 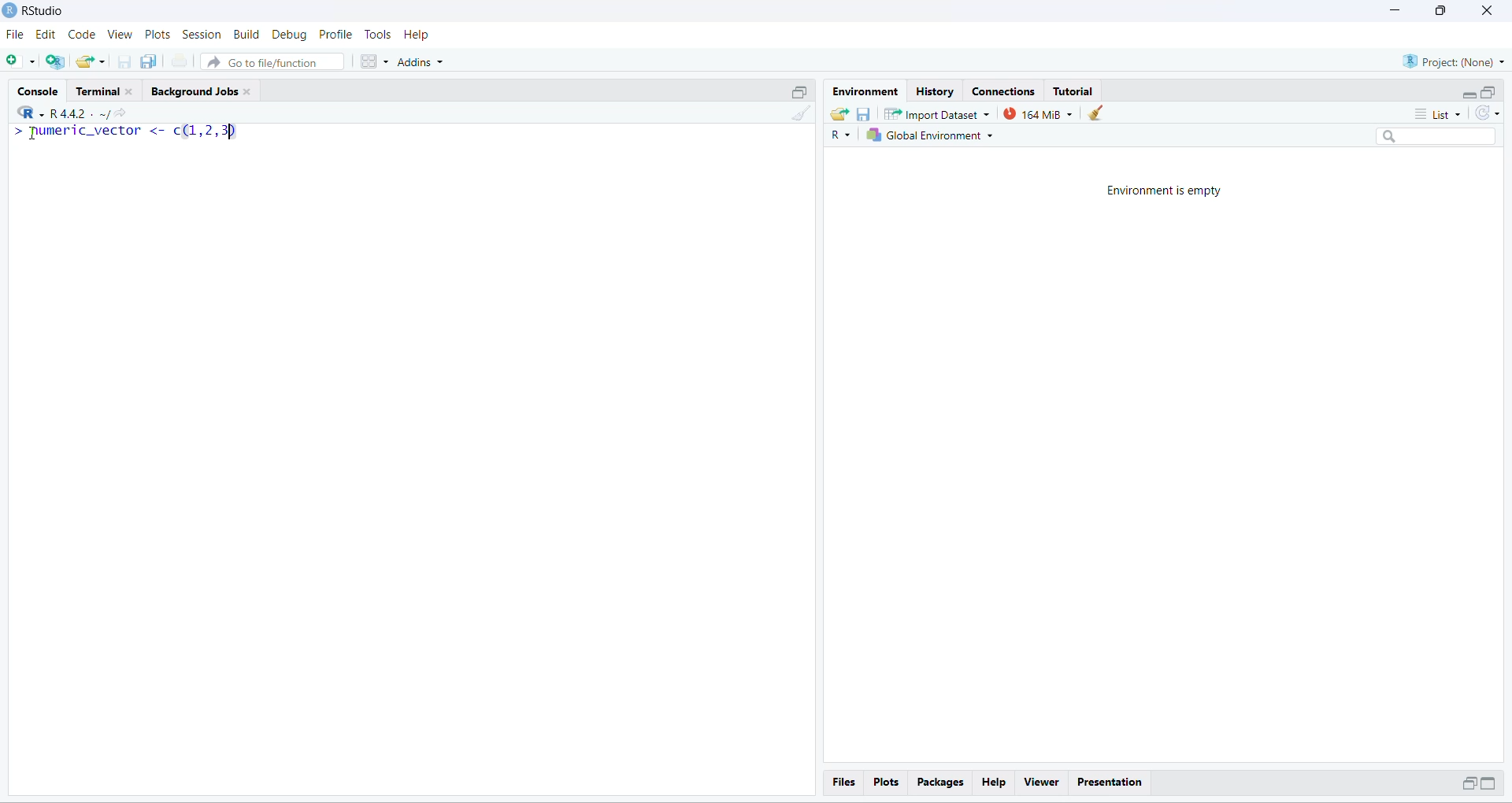 What do you see at coordinates (1042, 783) in the screenshot?
I see `Viewer` at bounding box center [1042, 783].